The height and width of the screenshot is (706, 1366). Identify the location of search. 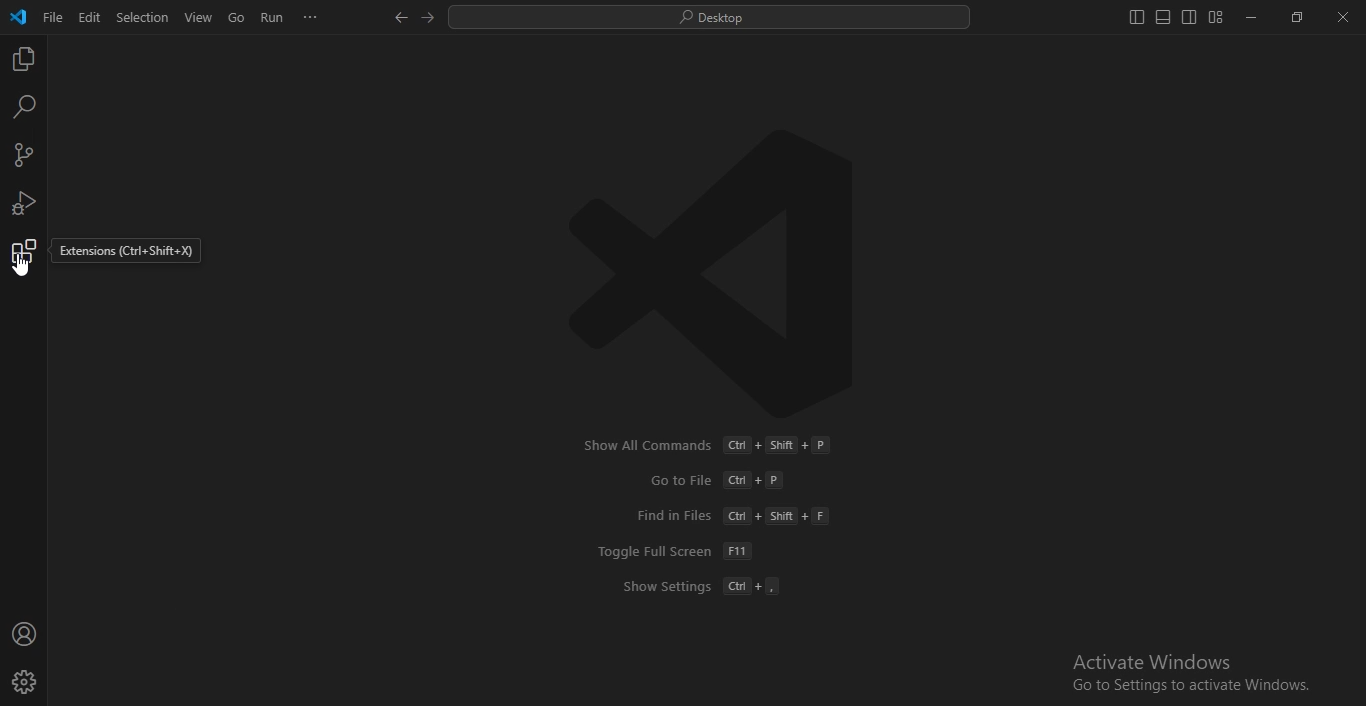
(708, 19).